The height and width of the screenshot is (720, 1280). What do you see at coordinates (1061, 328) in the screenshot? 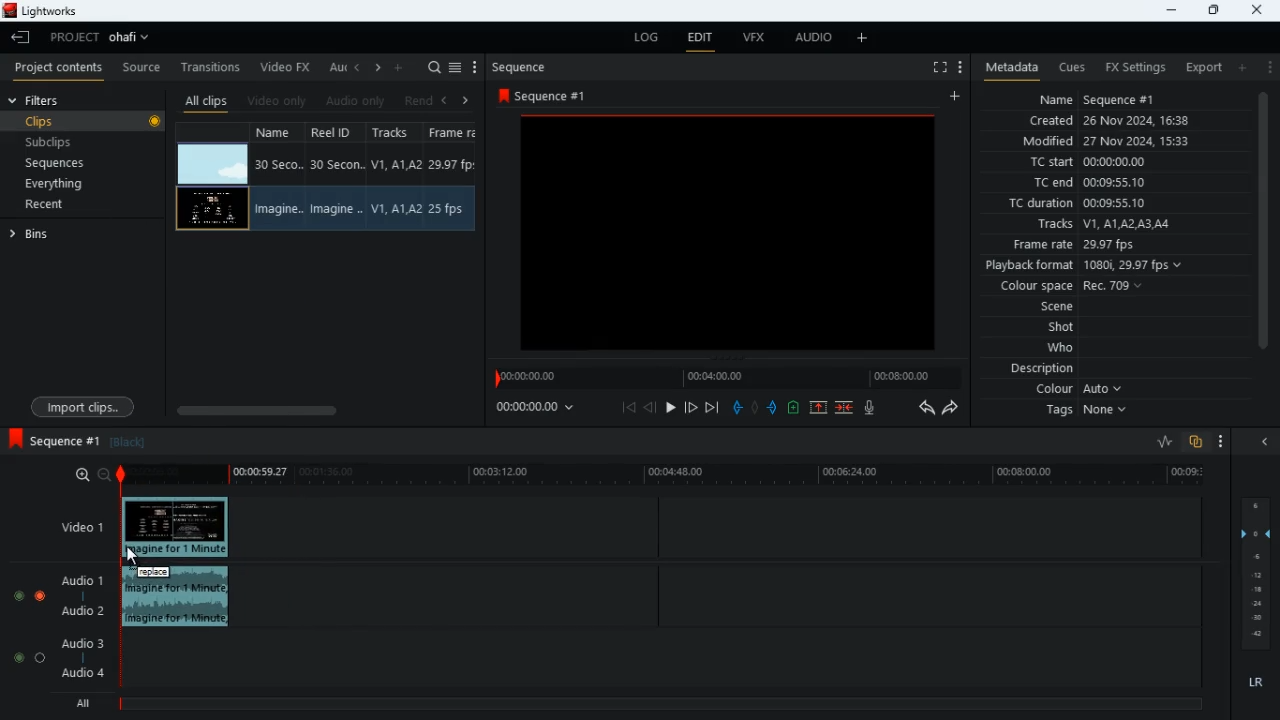
I see `shot` at bounding box center [1061, 328].